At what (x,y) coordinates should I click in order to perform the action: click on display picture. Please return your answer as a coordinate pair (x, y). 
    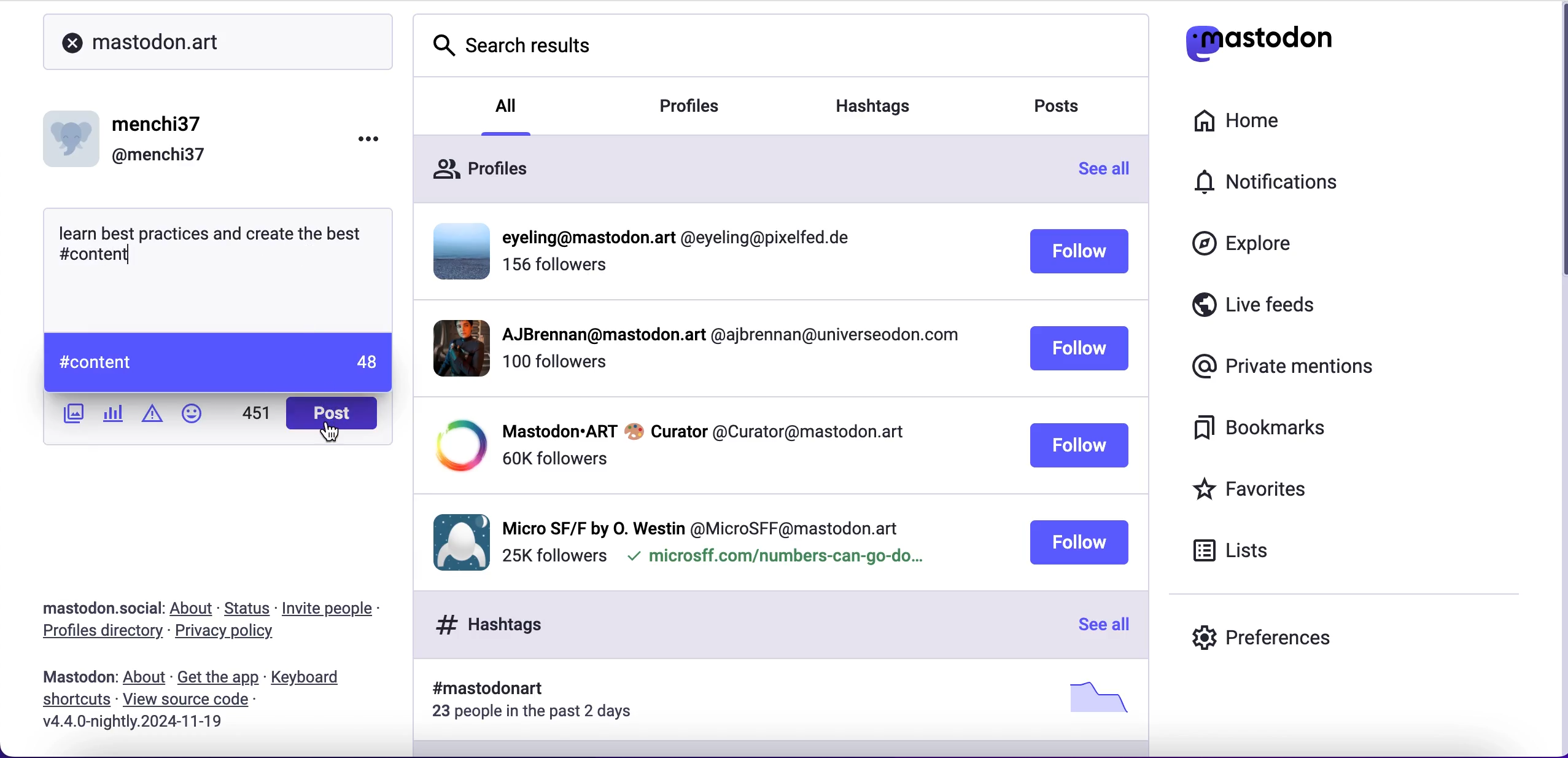
    Looking at the image, I should click on (457, 249).